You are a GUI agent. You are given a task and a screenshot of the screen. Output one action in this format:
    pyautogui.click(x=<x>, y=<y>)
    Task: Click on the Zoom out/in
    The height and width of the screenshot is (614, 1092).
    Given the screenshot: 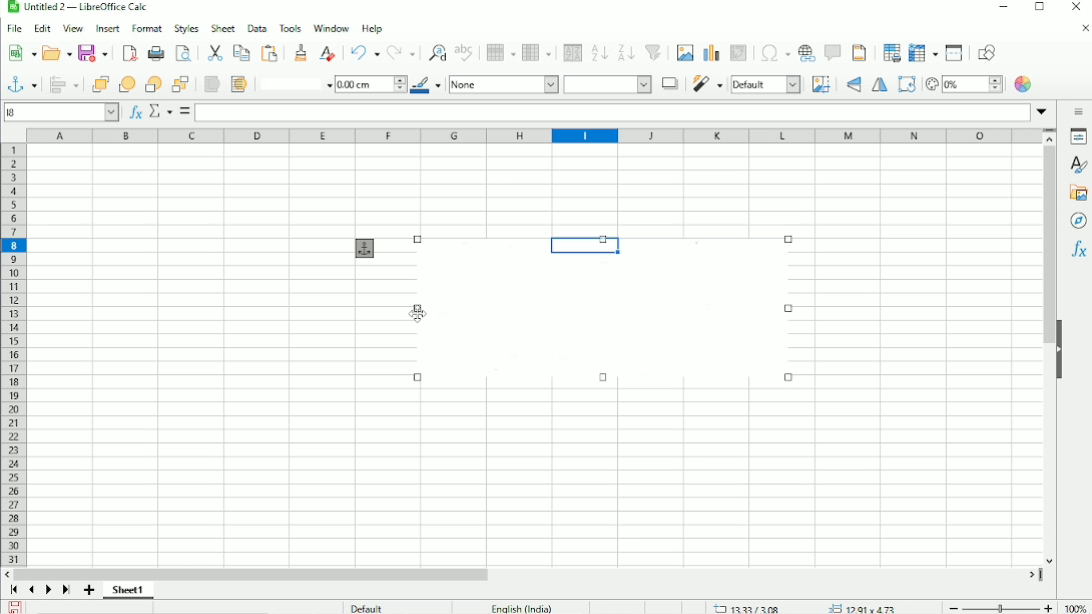 What is the action you would take?
    pyautogui.click(x=997, y=606)
    